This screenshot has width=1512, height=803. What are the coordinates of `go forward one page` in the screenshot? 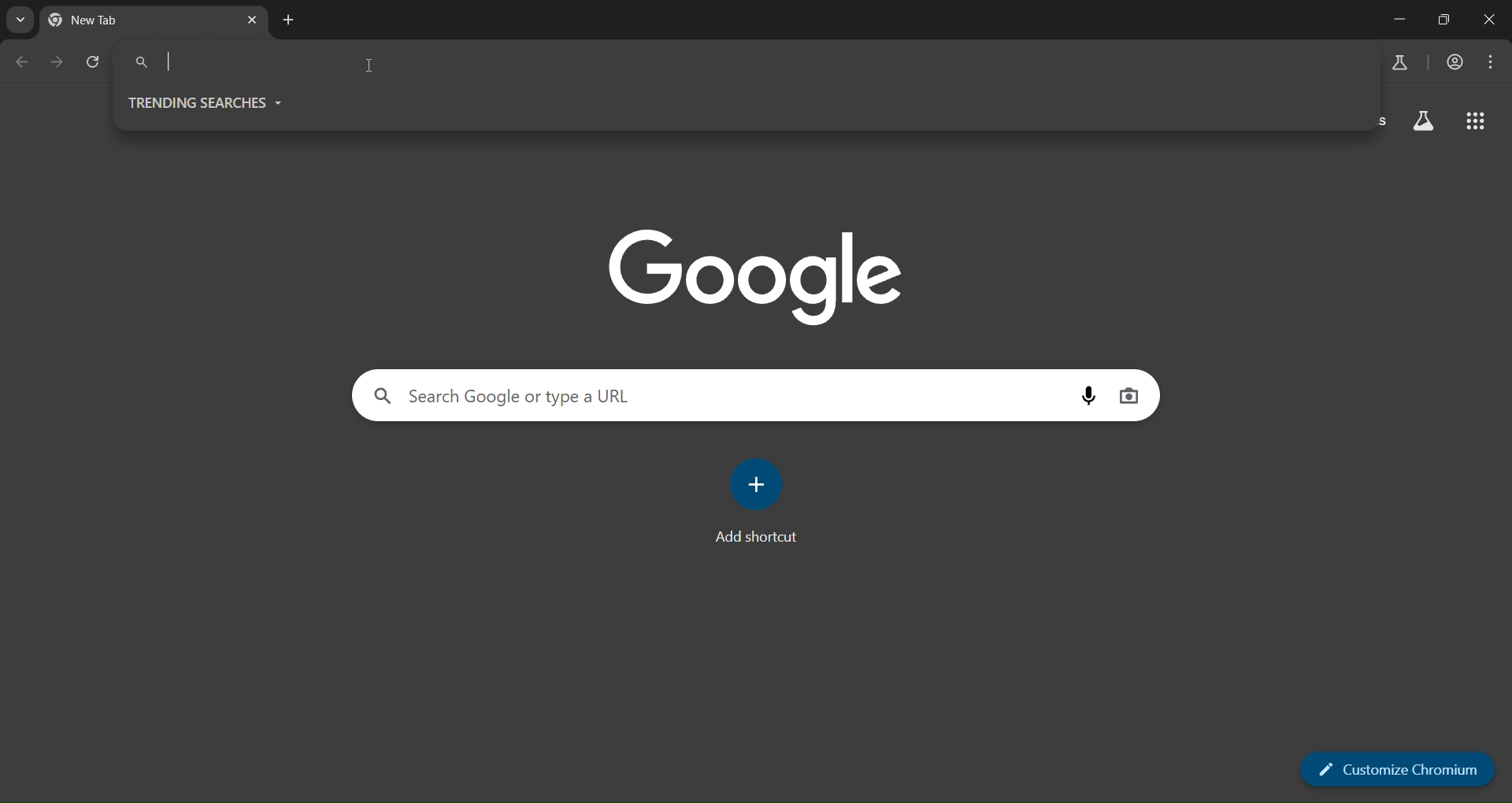 It's located at (60, 63).